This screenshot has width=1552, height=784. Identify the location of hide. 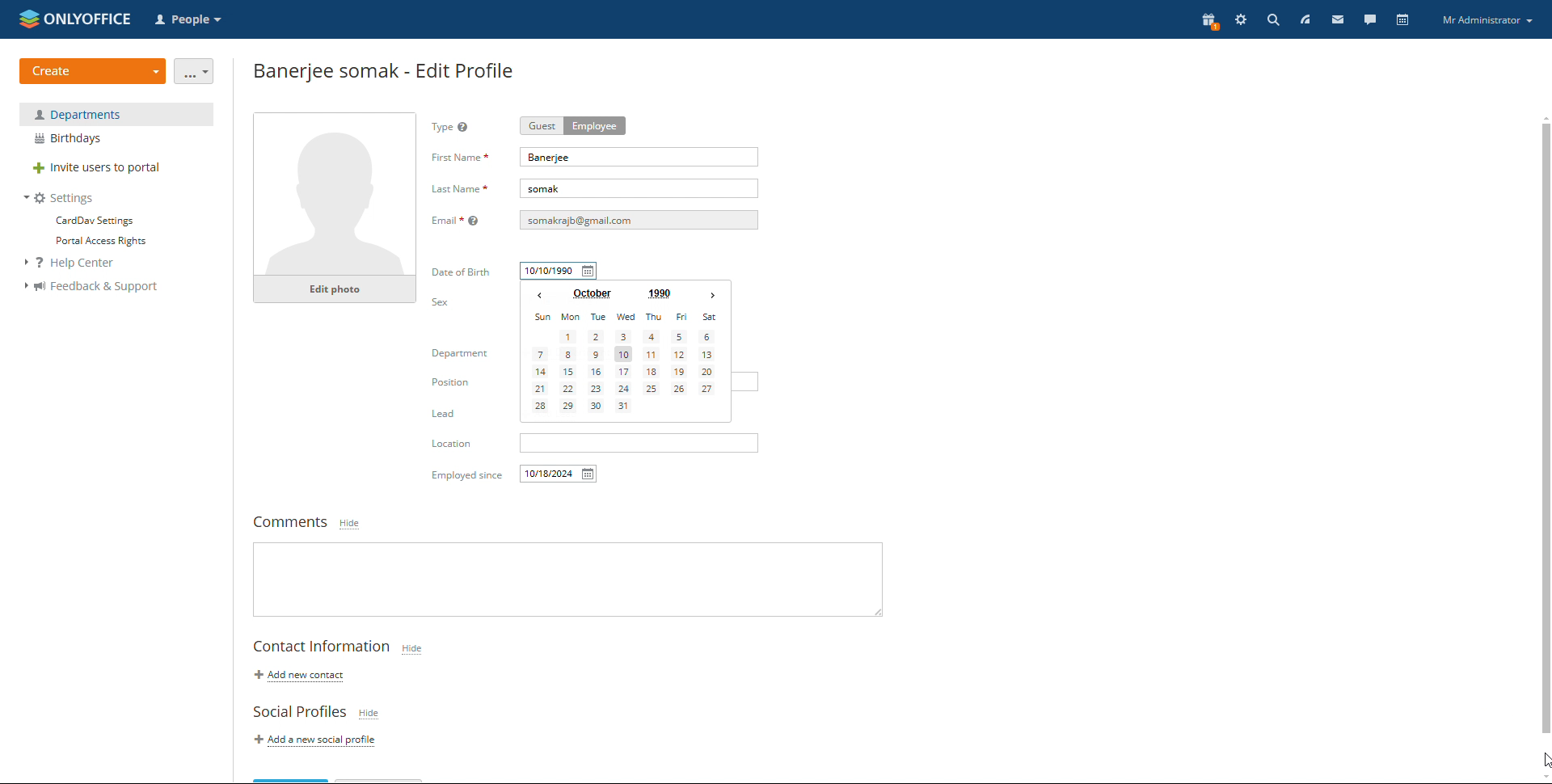
(348, 525).